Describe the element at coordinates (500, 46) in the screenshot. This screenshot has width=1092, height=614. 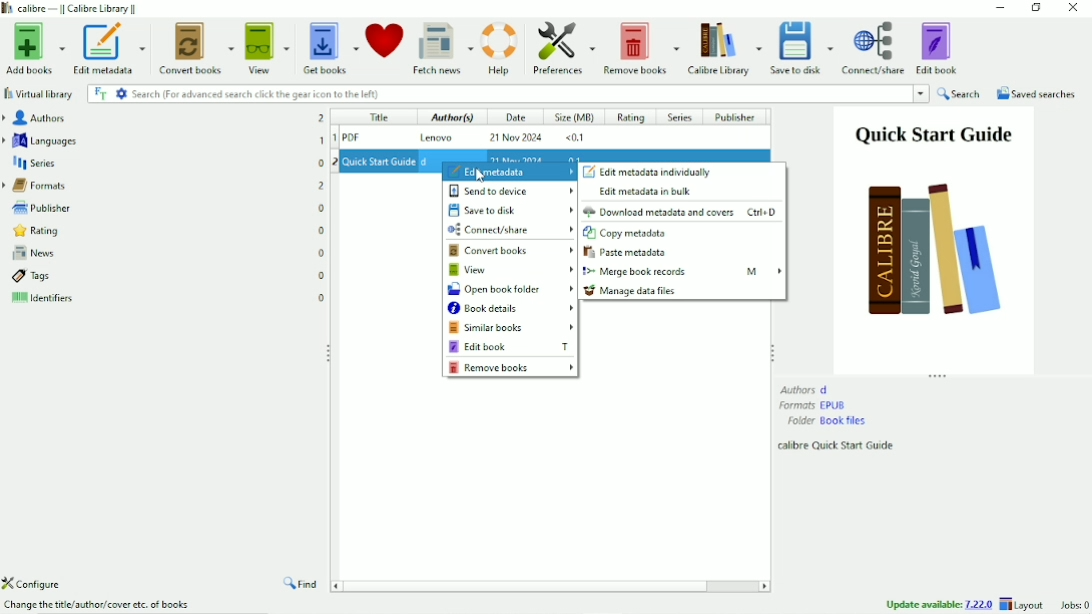
I see `Help` at that location.